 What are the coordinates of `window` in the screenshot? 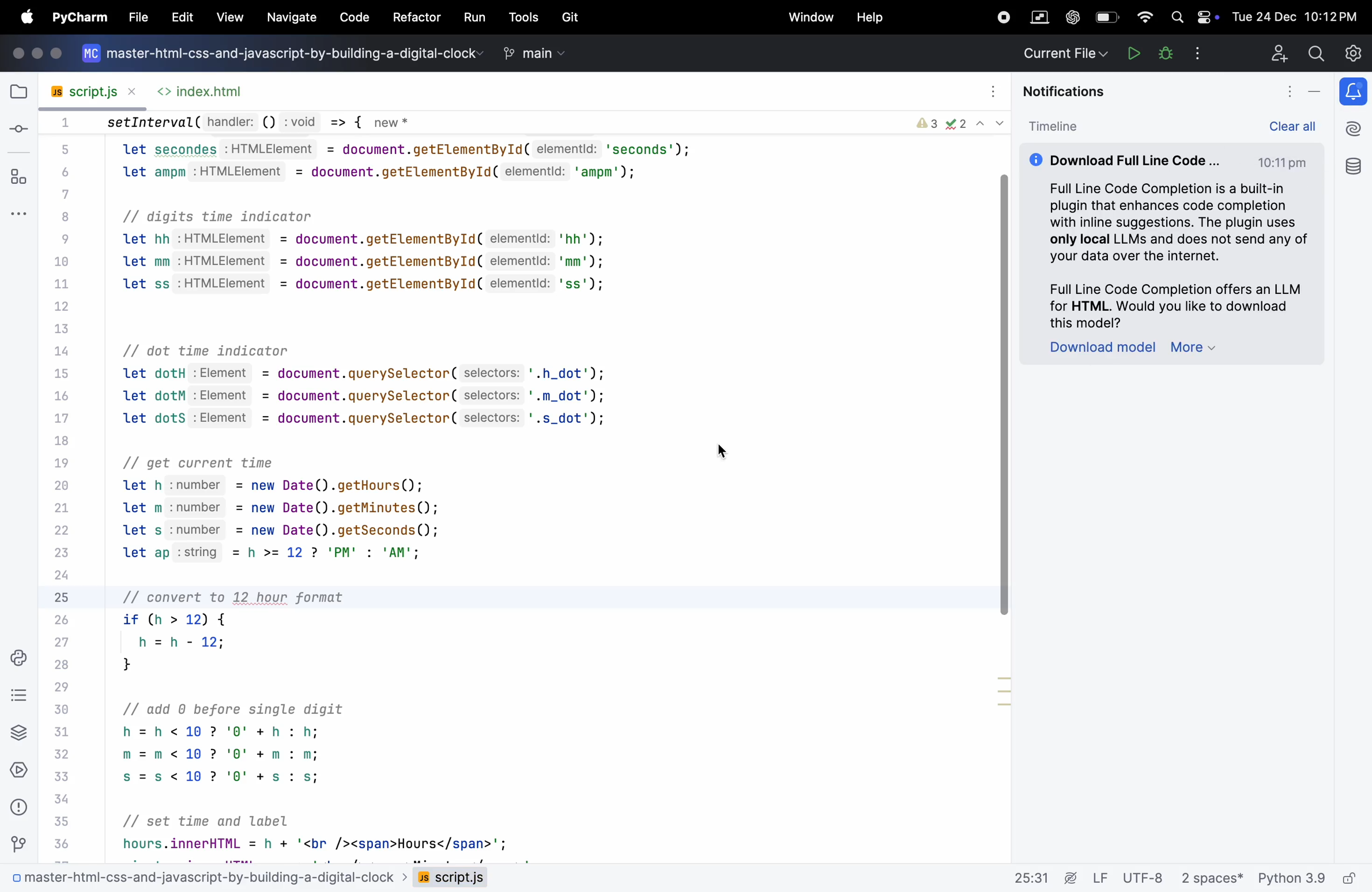 It's located at (812, 16).